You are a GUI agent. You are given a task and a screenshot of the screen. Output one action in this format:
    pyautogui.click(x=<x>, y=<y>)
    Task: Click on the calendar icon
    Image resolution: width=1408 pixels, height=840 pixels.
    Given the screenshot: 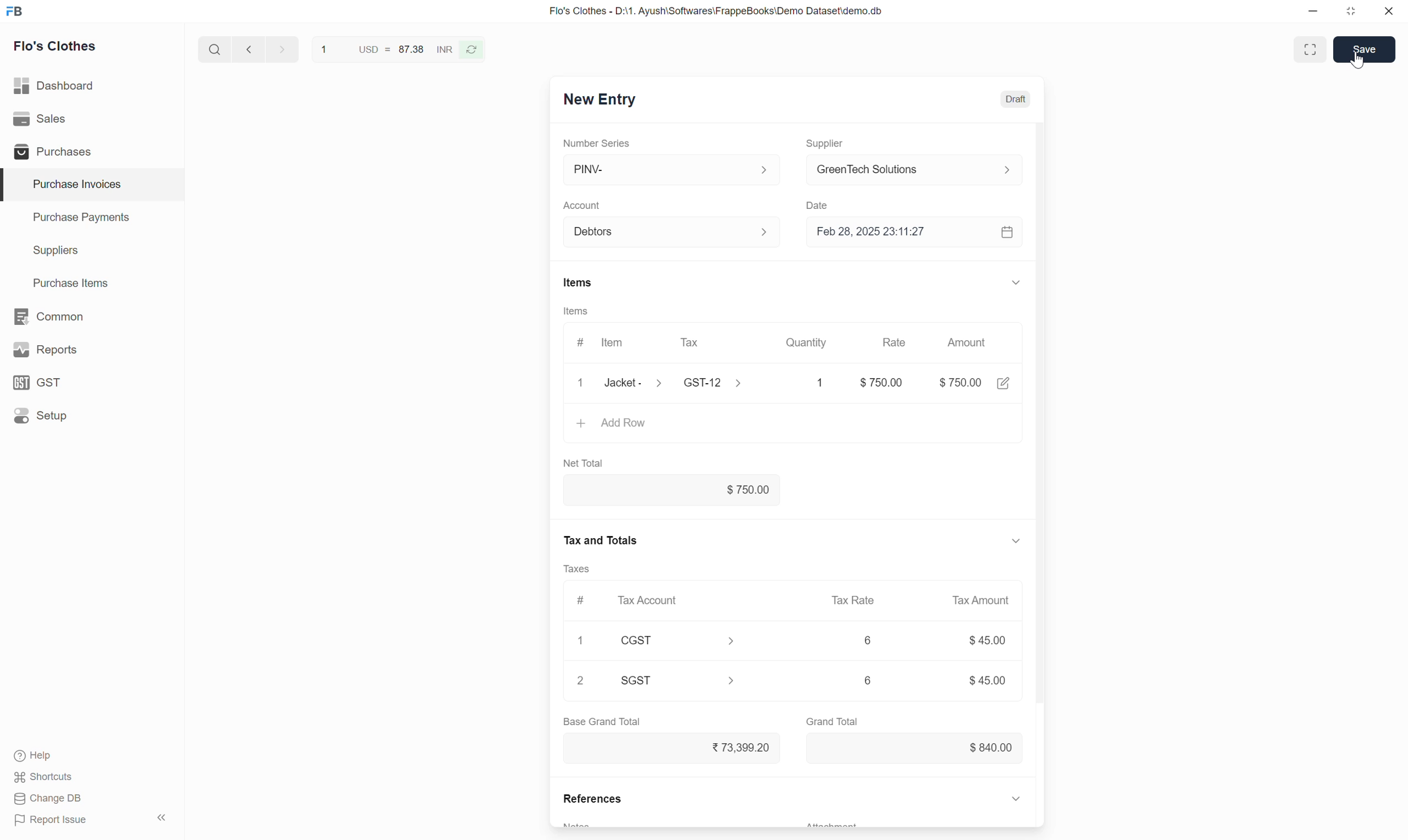 What is the action you would take?
    pyautogui.click(x=1009, y=232)
    